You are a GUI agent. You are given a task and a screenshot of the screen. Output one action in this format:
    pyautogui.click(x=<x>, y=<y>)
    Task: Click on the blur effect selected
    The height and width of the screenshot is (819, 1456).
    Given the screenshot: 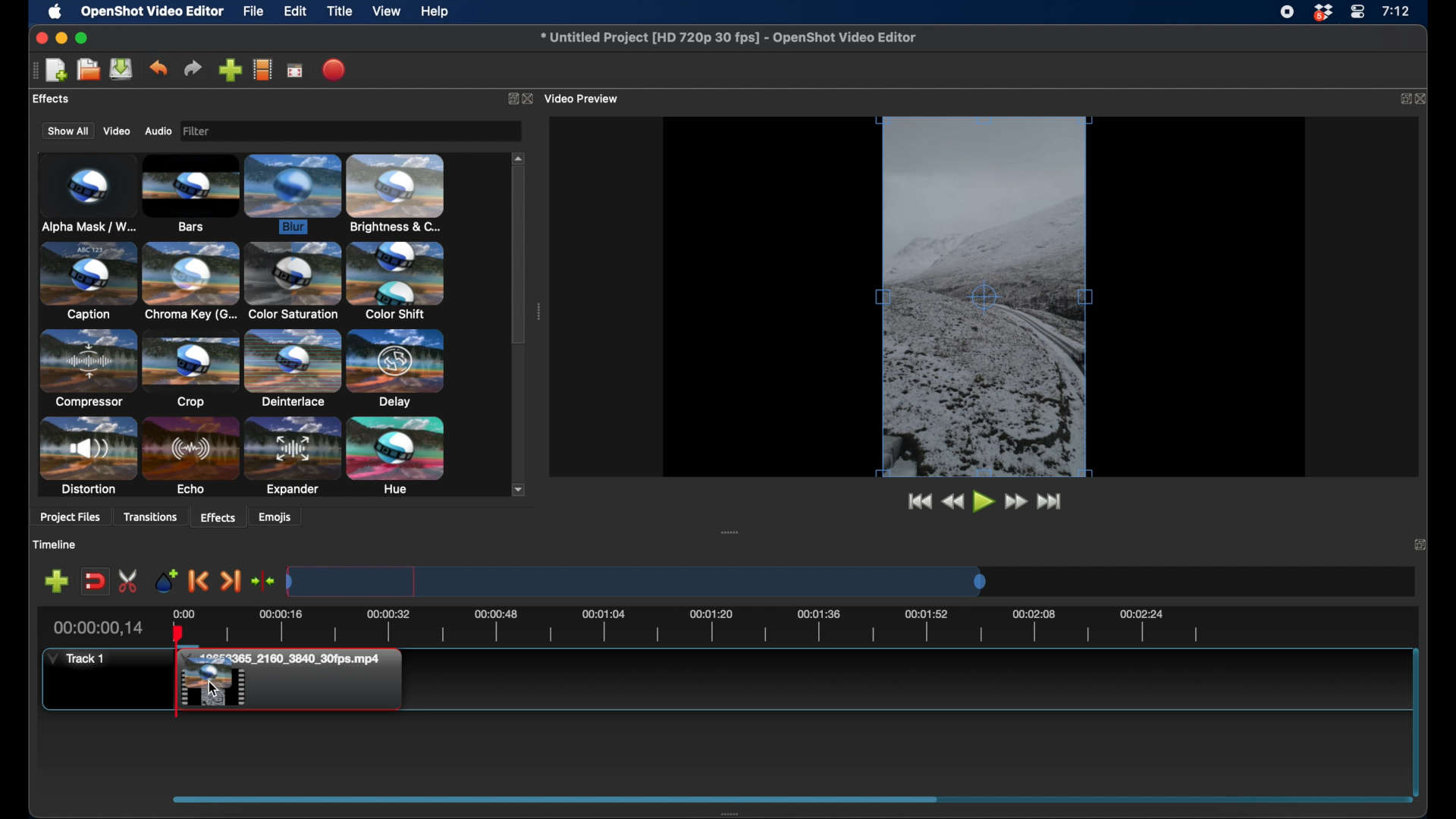 What is the action you would take?
    pyautogui.click(x=294, y=195)
    